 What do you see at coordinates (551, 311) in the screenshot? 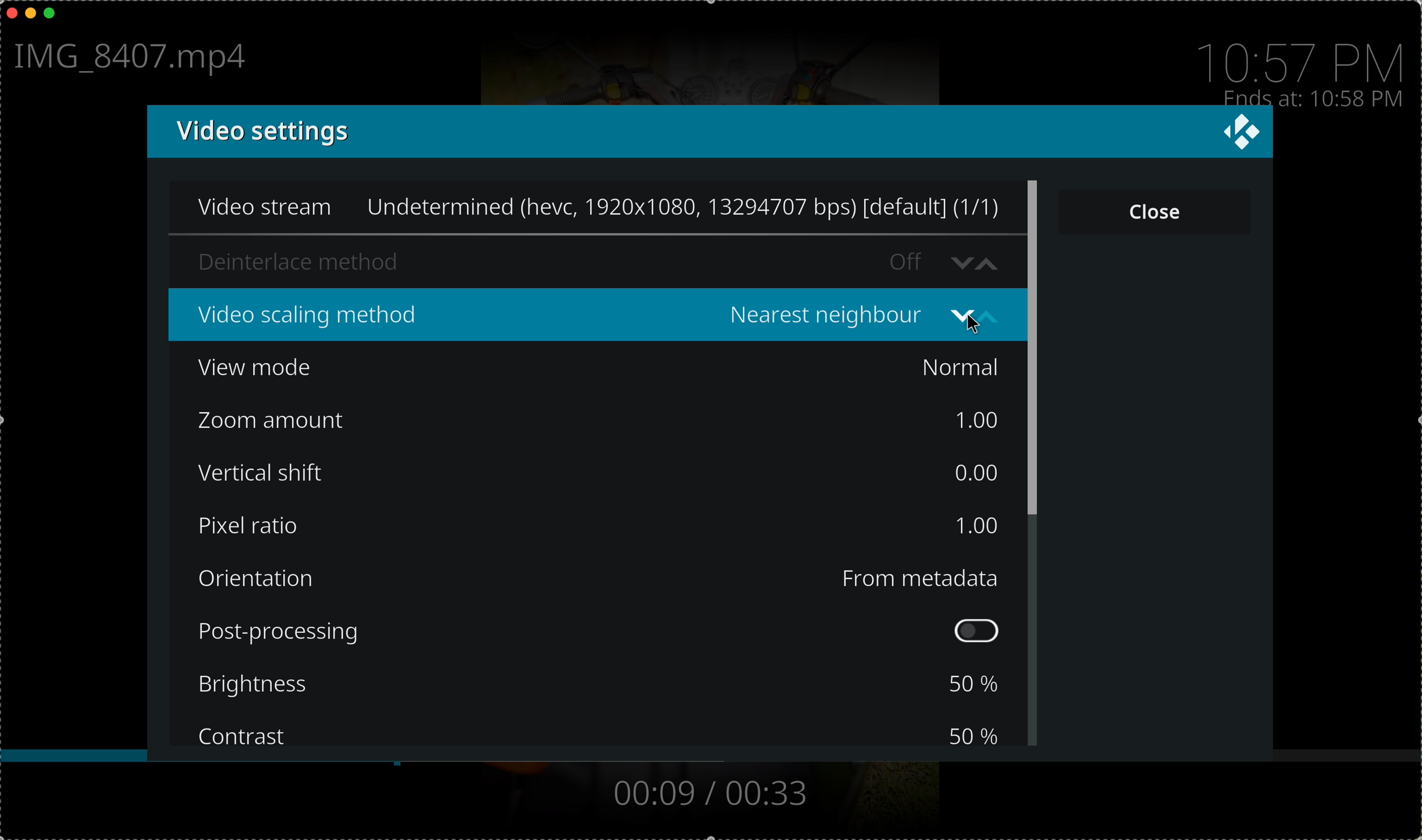
I see `video scaling method  Bilinear` at bounding box center [551, 311].